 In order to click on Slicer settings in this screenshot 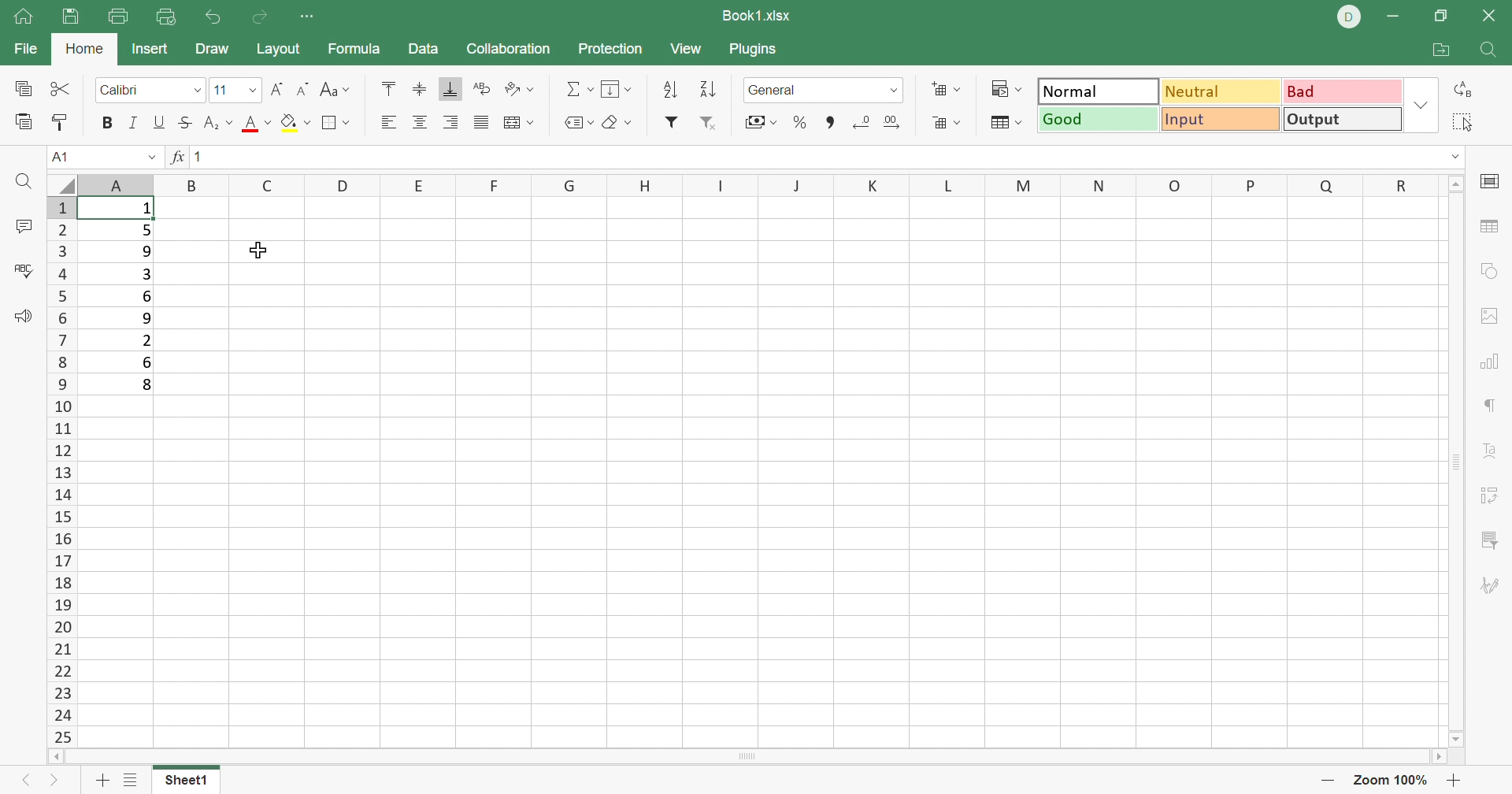, I will do `click(1486, 541)`.